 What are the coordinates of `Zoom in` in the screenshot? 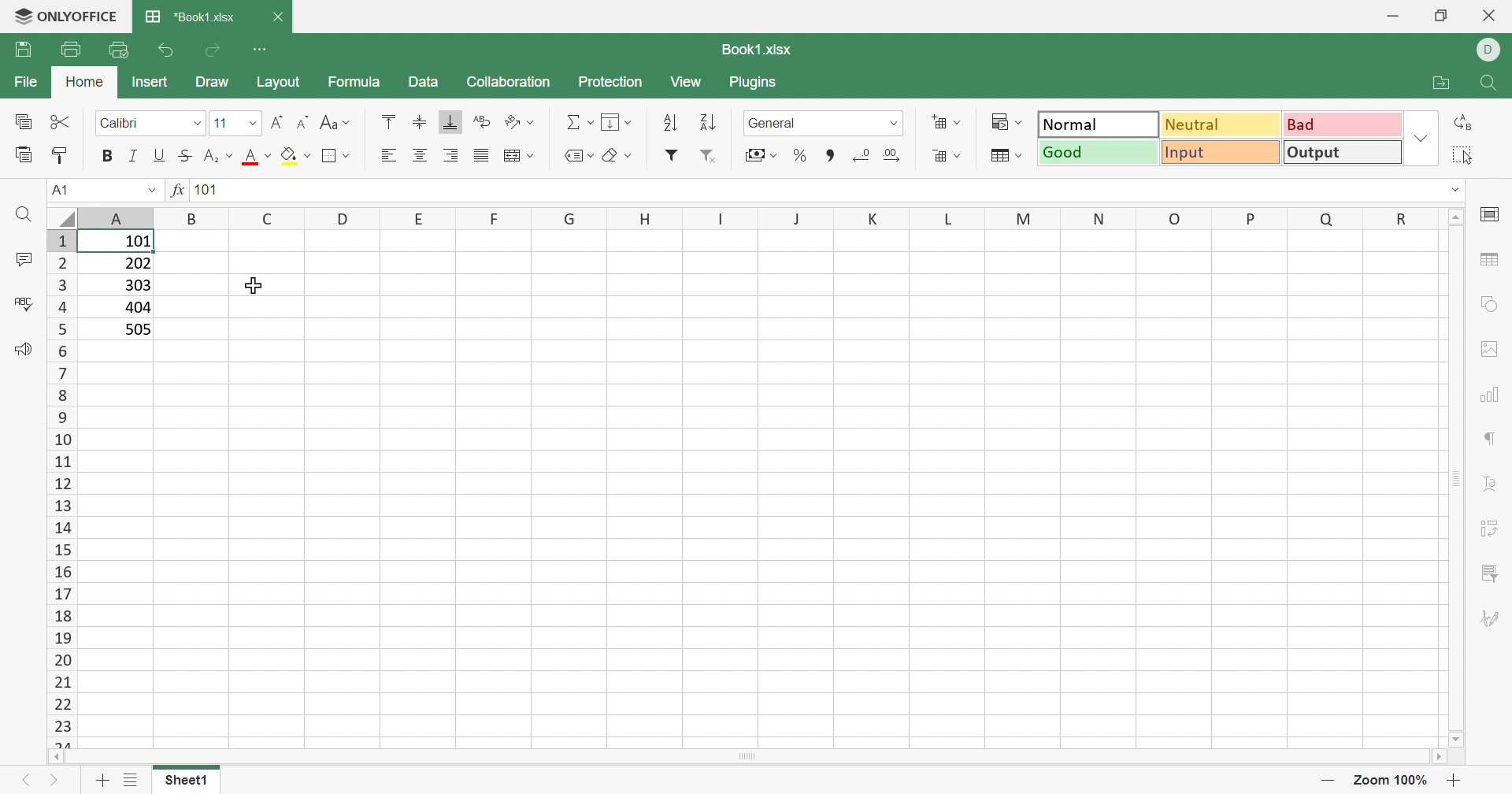 It's located at (1456, 780).